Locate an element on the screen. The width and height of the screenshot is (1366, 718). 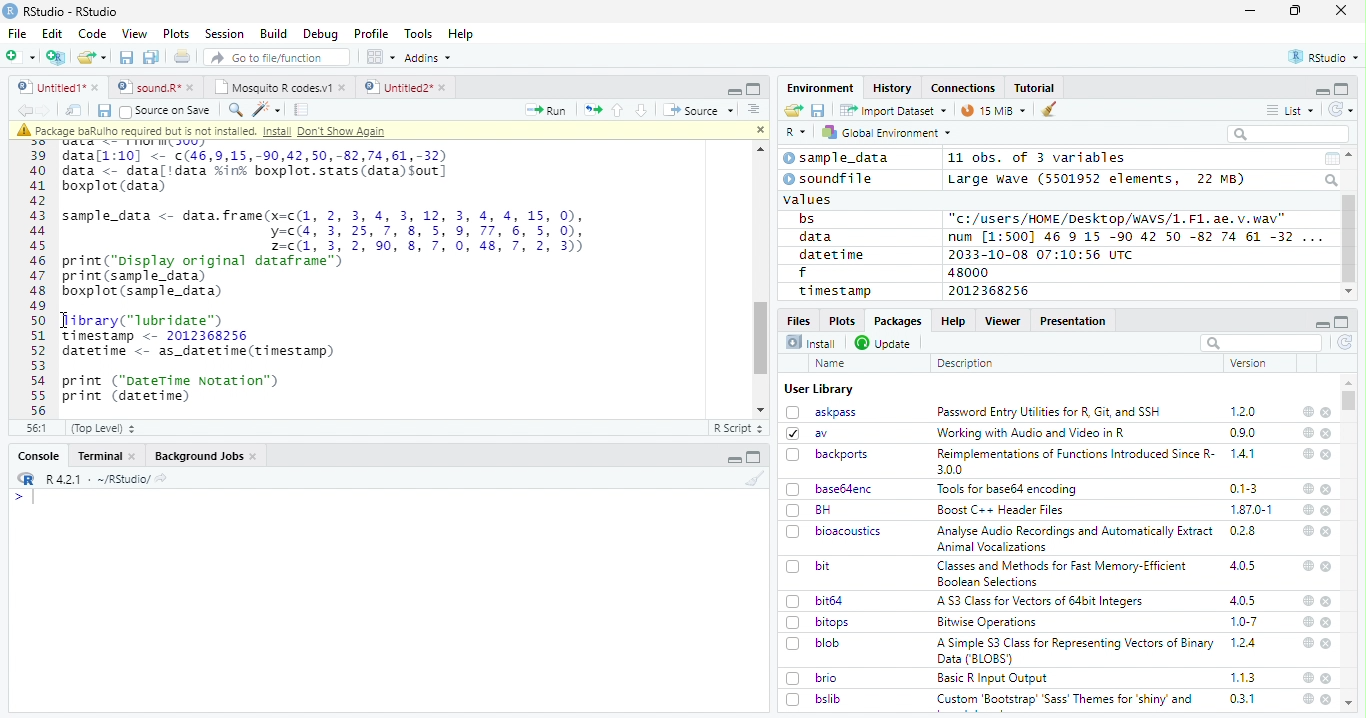
help is located at coordinates (1308, 432).